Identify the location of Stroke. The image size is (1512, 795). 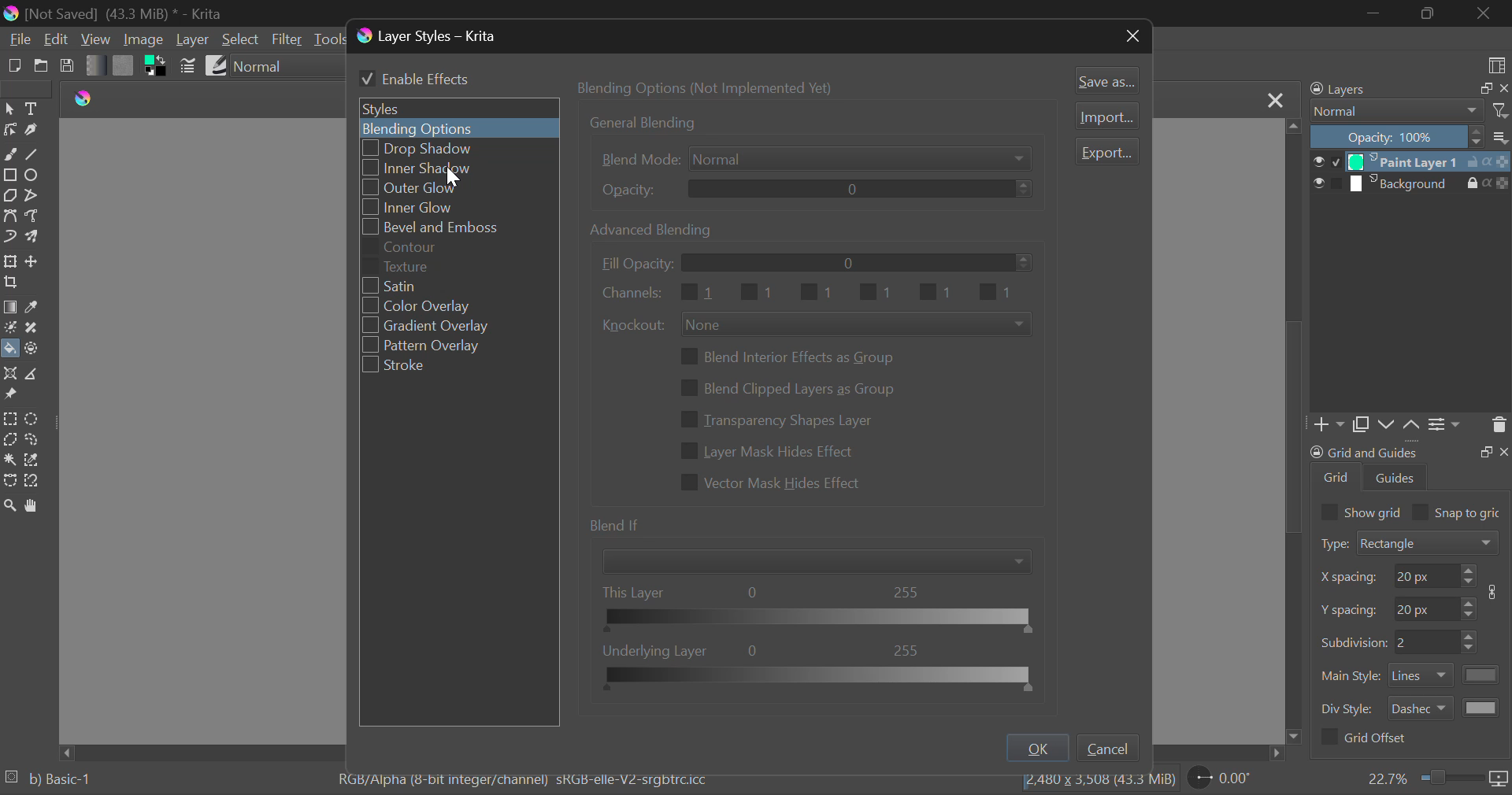
(443, 366).